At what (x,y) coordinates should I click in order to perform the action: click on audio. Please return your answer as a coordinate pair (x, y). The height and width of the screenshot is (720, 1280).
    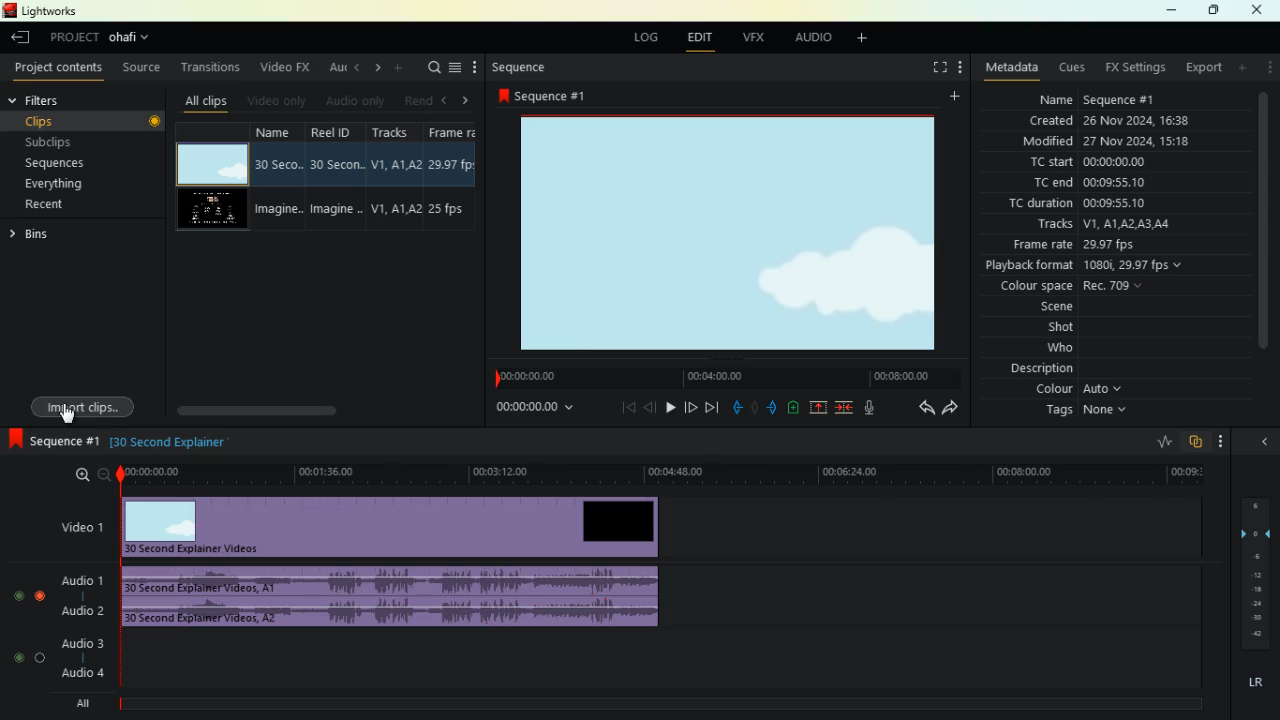
    Looking at the image, I should click on (394, 579).